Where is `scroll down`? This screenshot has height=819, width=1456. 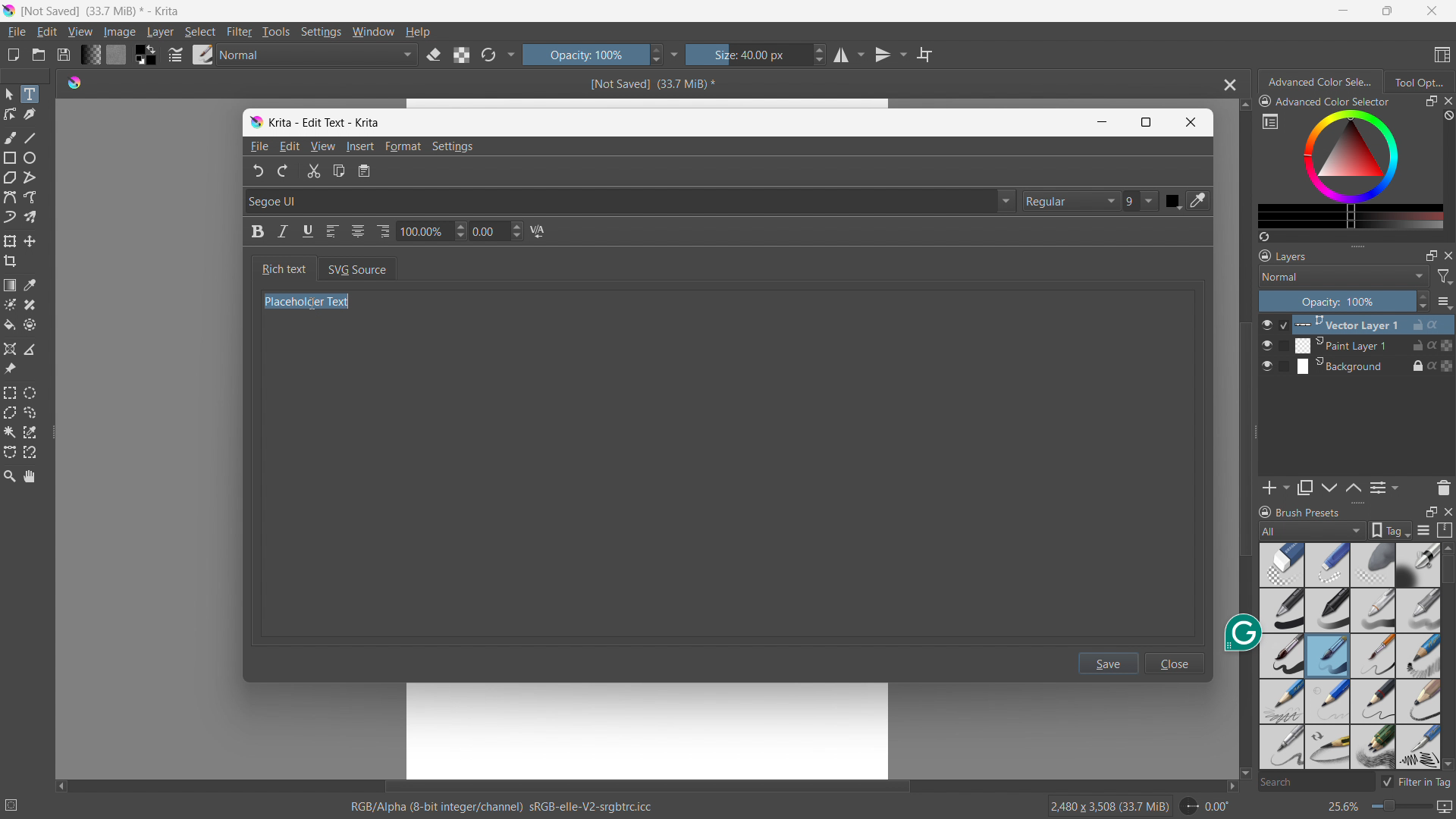 scroll down is located at coordinates (1447, 764).